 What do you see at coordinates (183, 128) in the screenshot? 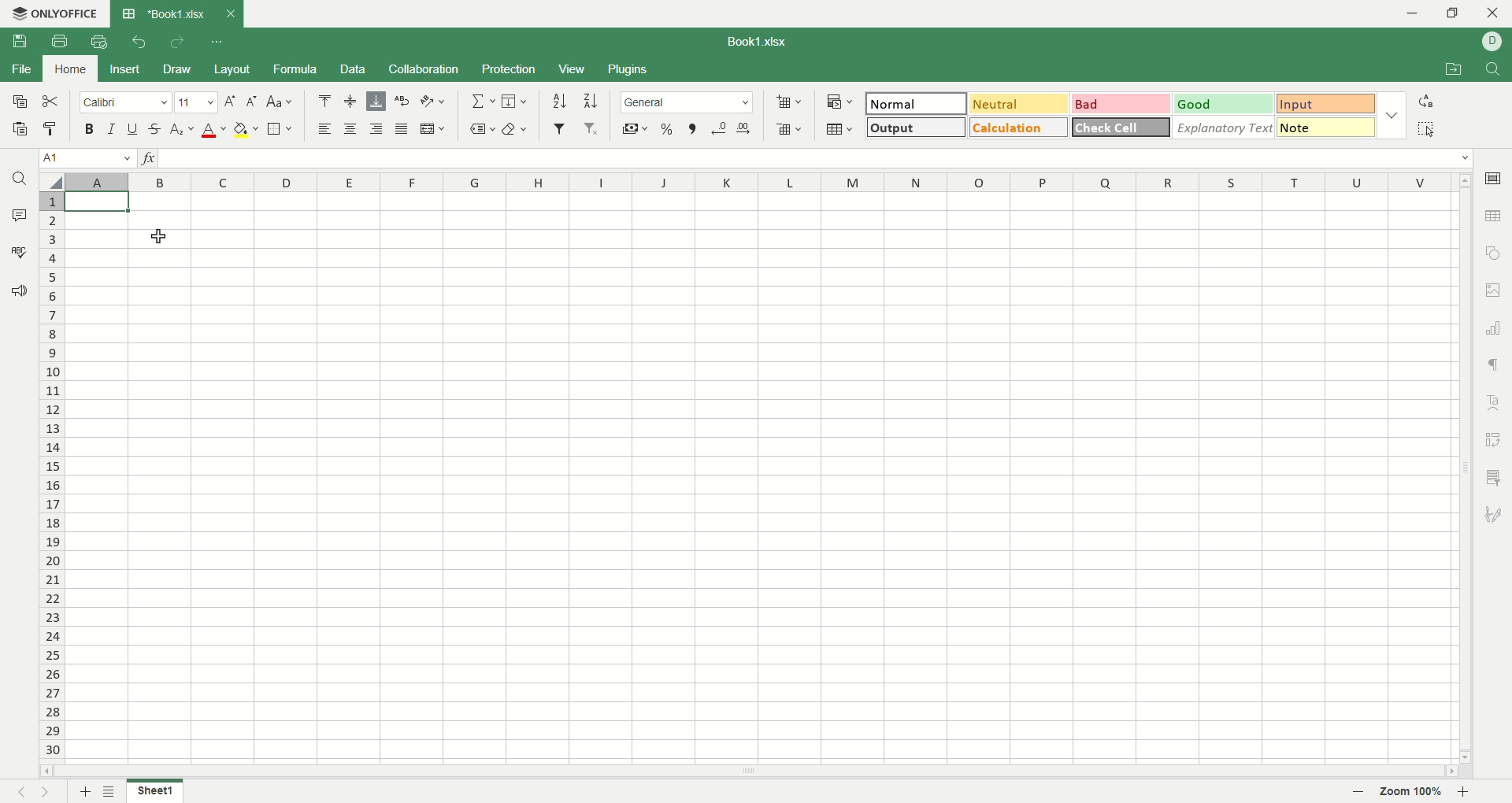
I see `subscript/superscript` at bounding box center [183, 128].